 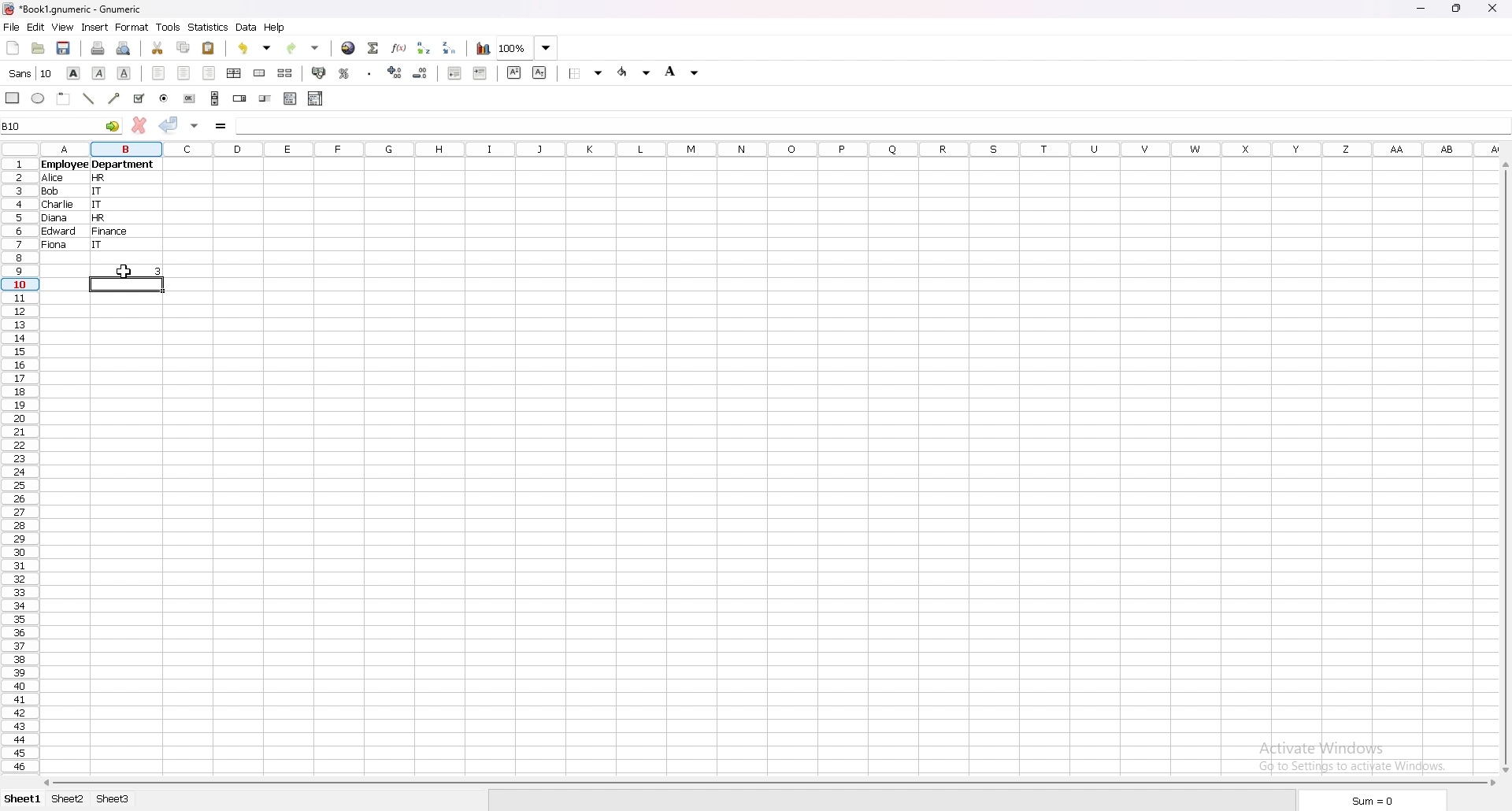 I want to click on file name, so click(x=74, y=9).